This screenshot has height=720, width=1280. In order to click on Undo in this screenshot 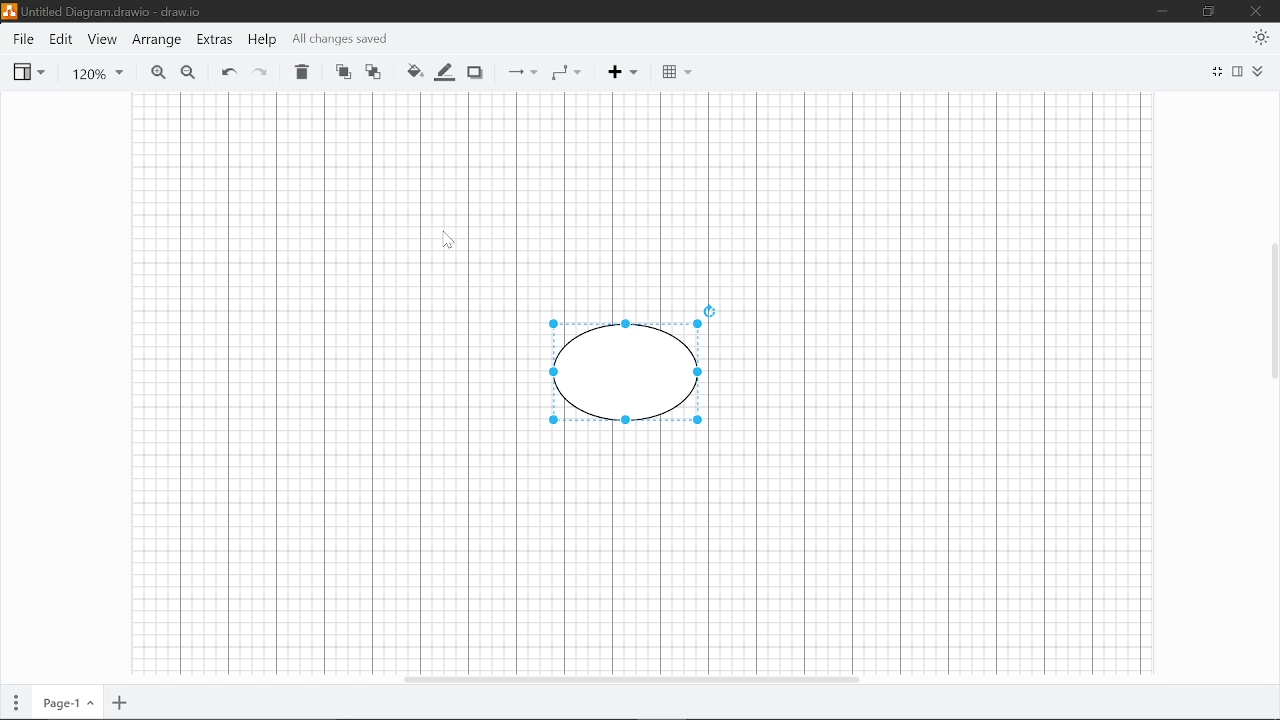, I will do `click(224, 71)`.